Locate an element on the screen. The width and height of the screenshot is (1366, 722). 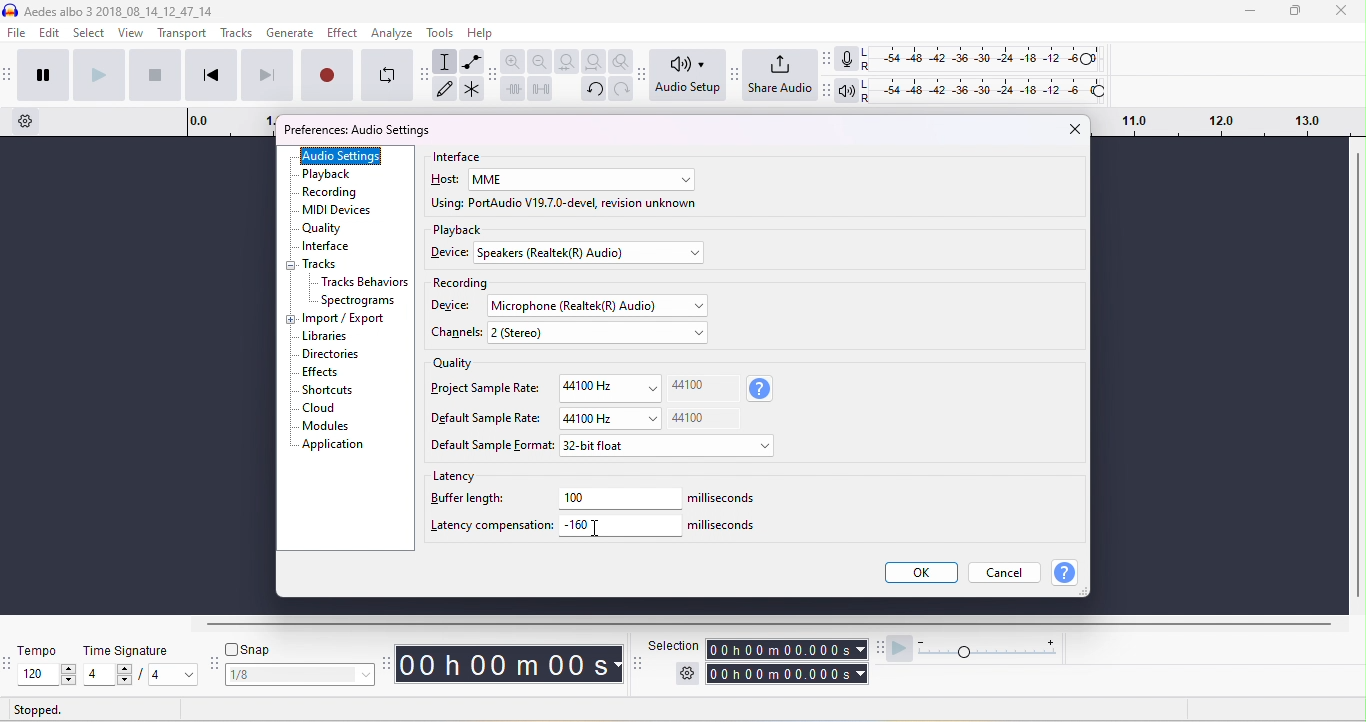
cancel is located at coordinates (1006, 571).